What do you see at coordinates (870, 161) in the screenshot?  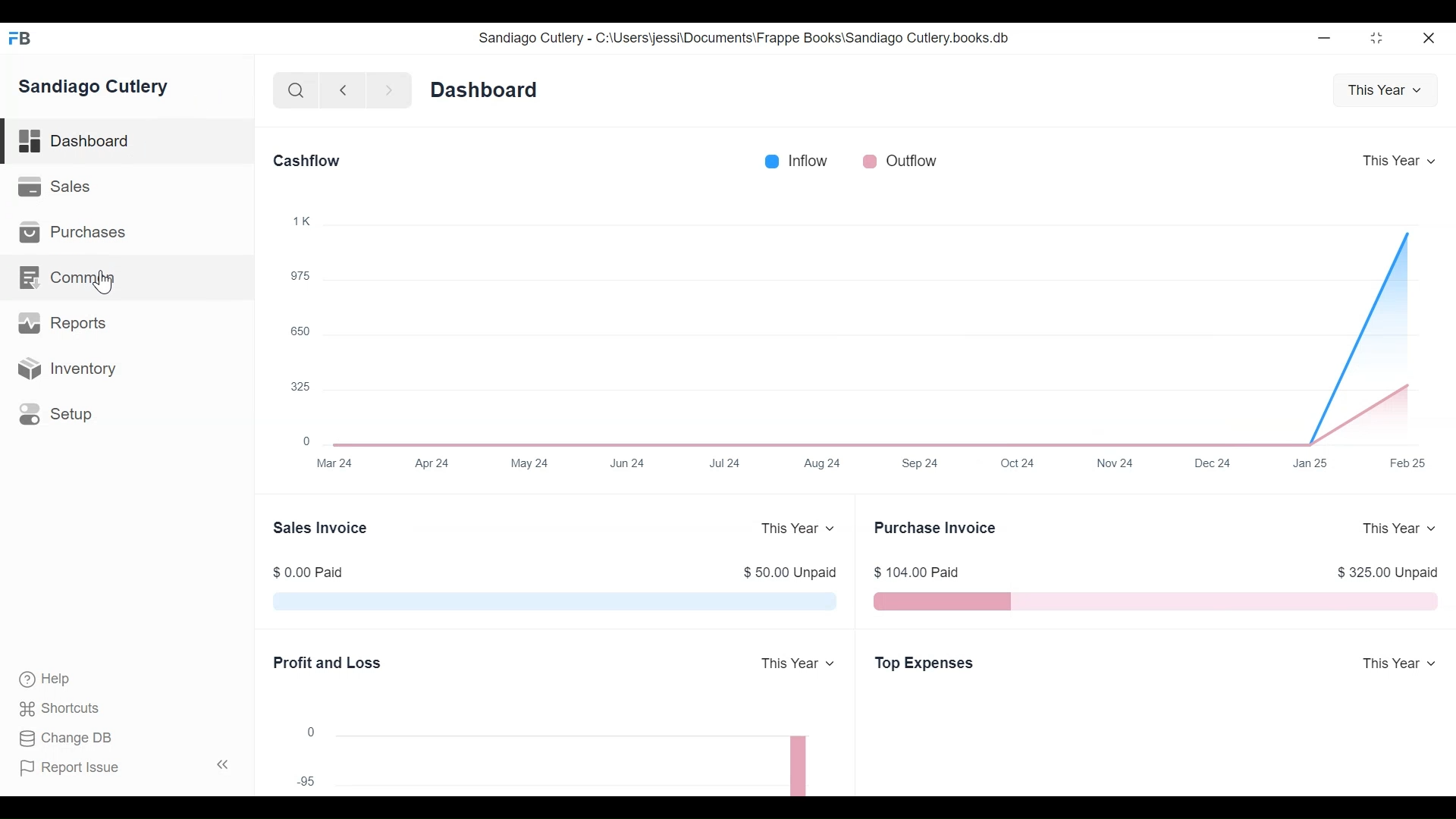 I see `Outflow color bar` at bounding box center [870, 161].